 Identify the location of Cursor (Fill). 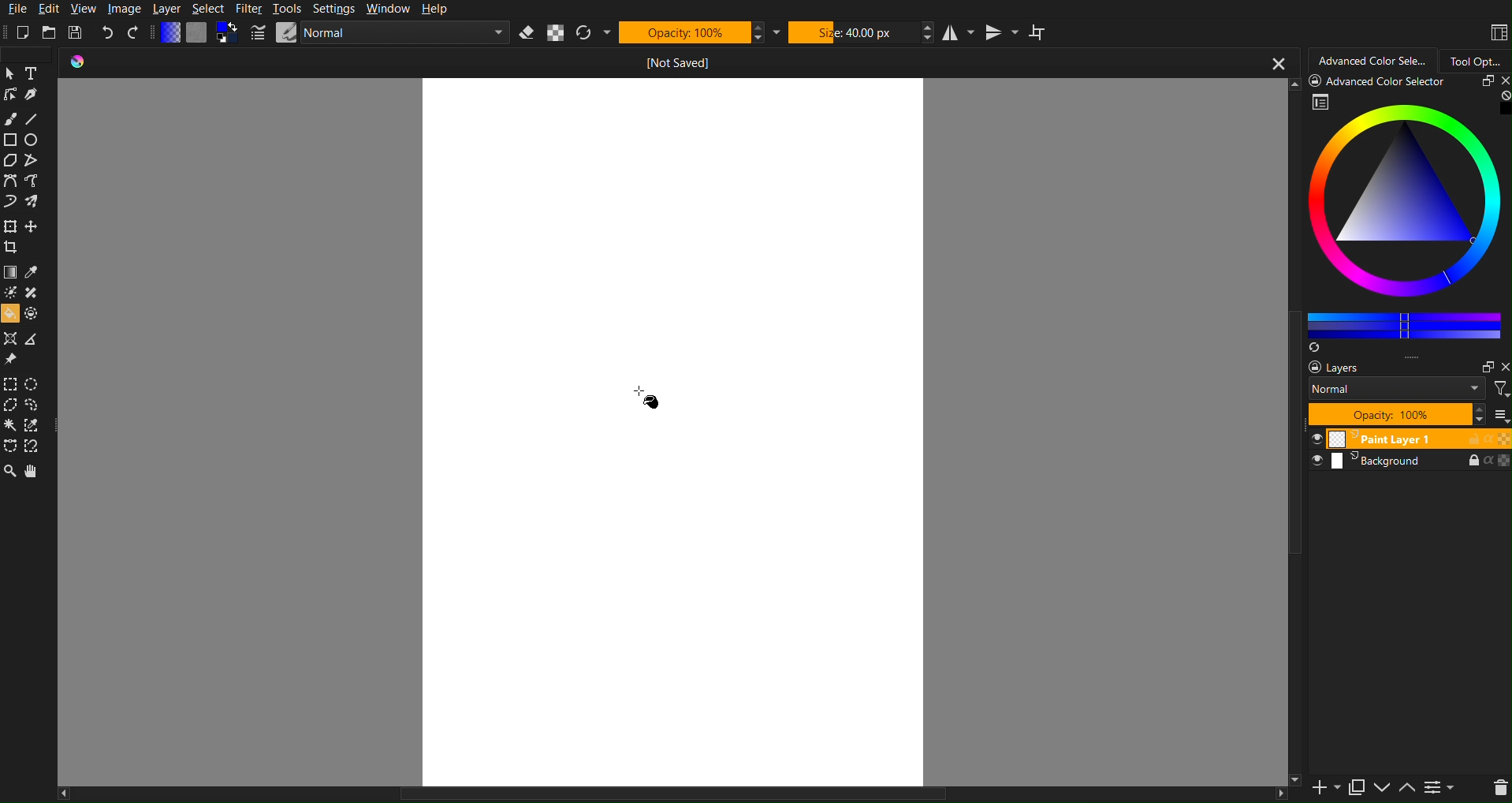
(648, 396).